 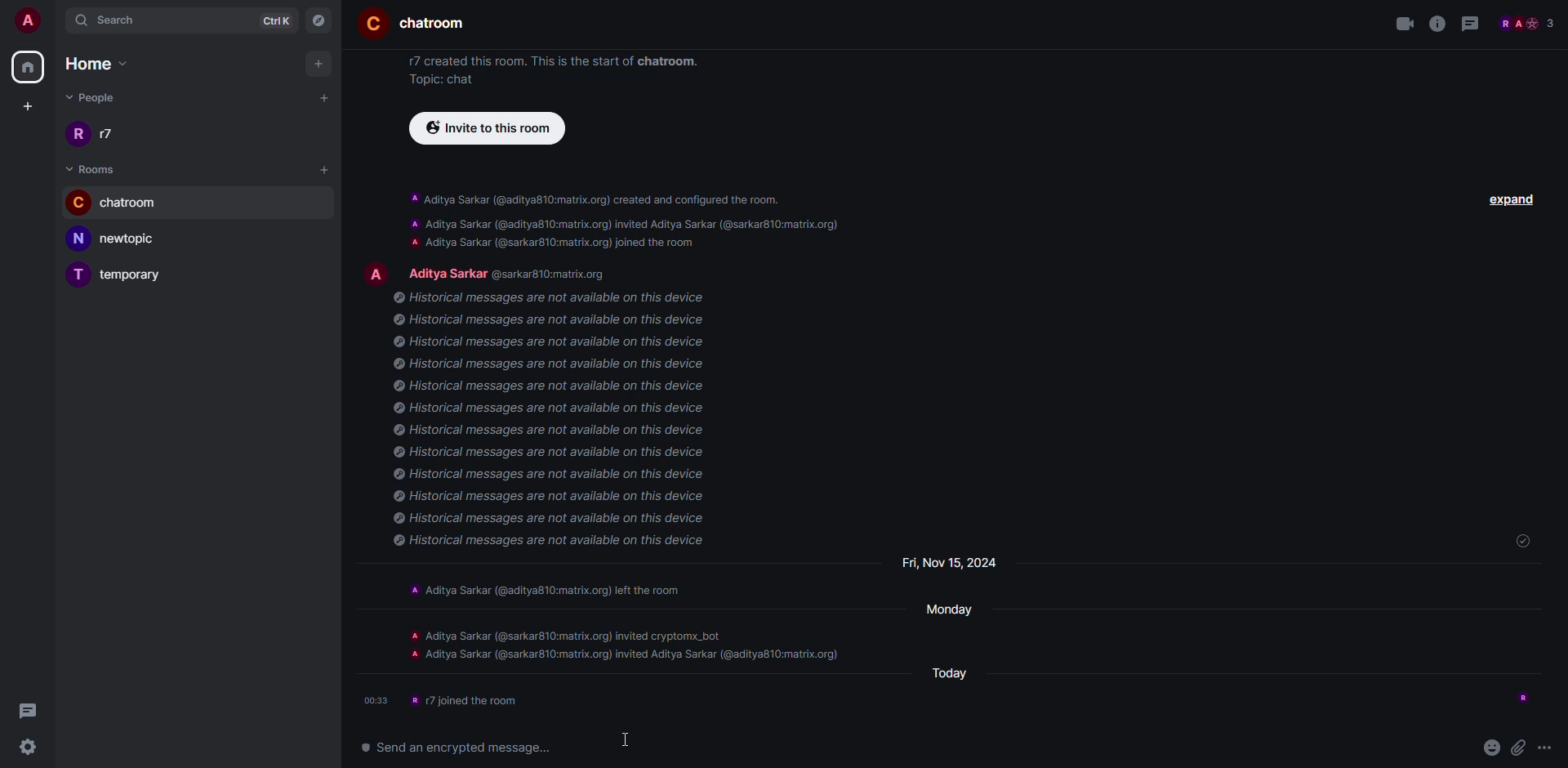 What do you see at coordinates (458, 749) in the screenshot?
I see `send an encrypted message` at bounding box center [458, 749].